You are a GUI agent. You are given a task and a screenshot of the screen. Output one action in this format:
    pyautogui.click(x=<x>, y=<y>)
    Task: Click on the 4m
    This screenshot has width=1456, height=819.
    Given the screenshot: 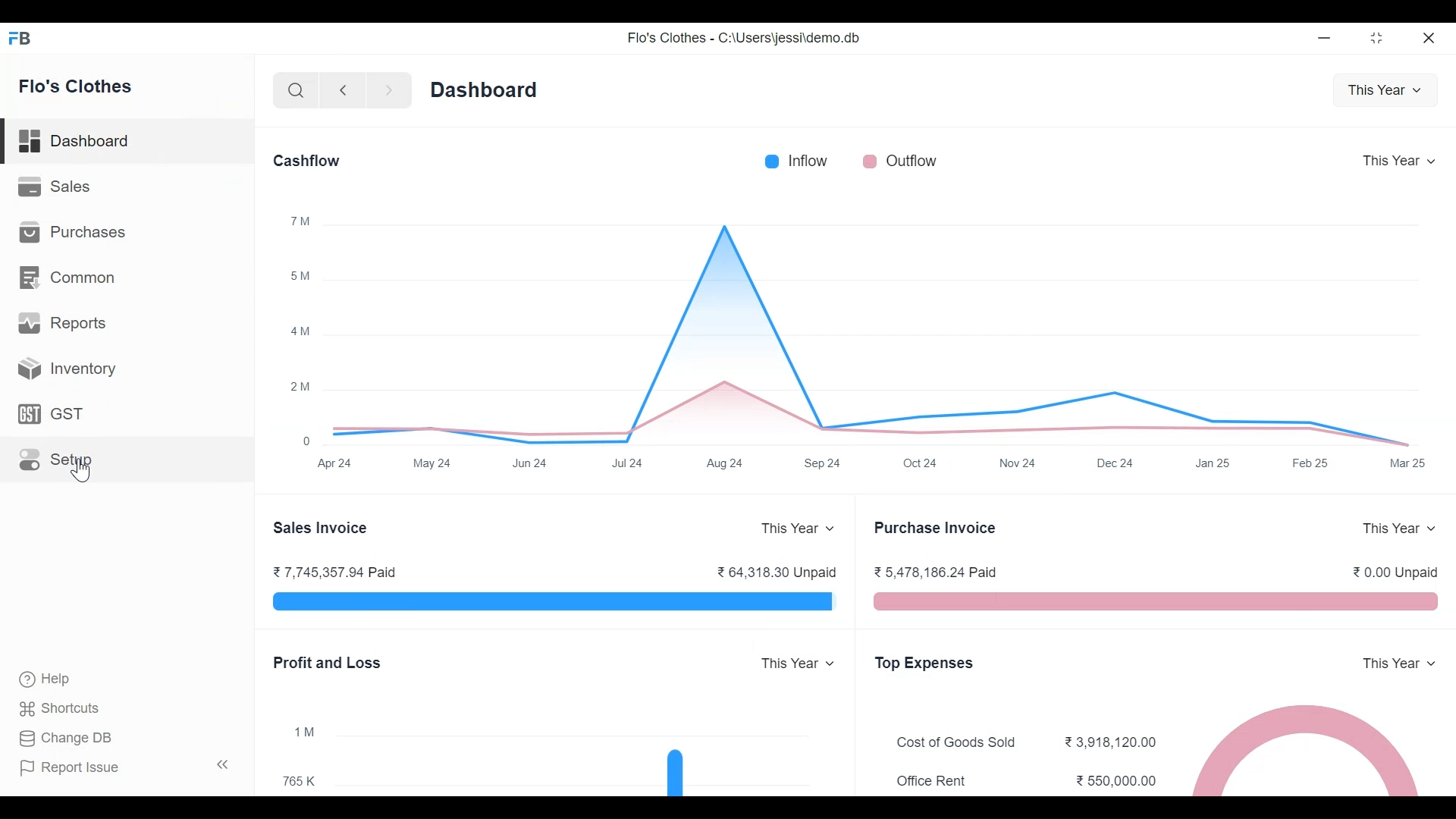 What is the action you would take?
    pyautogui.click(x=297, y=333)
    